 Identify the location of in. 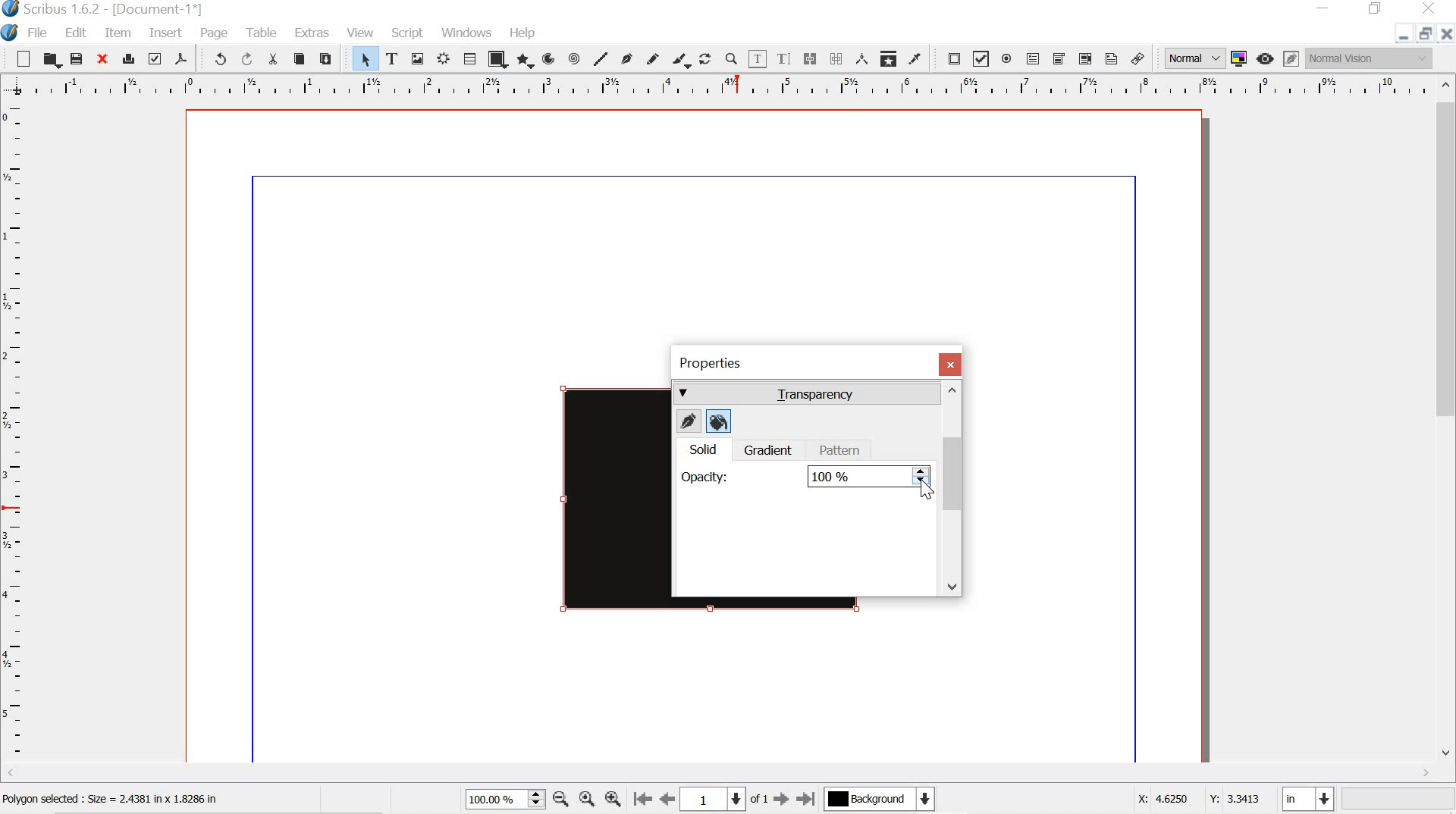
(1307, 800).